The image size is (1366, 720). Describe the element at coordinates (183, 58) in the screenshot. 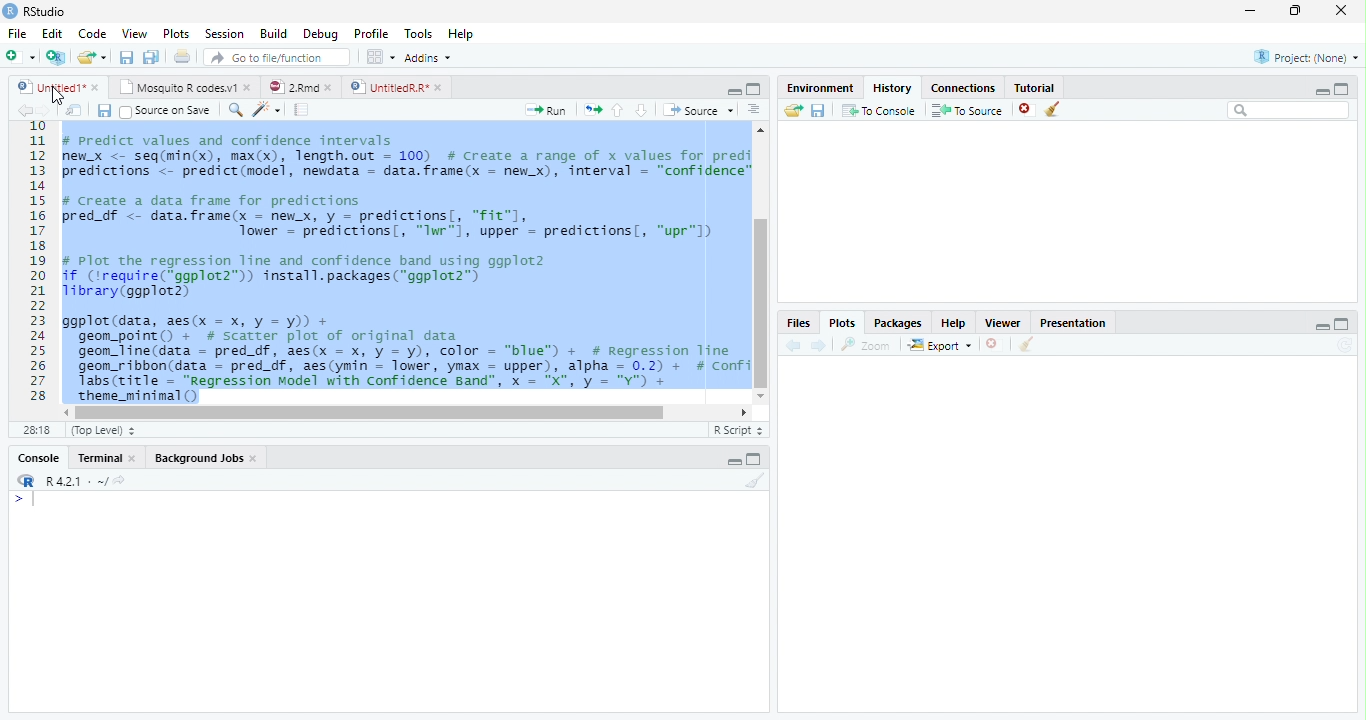

I see `Print` at that location.